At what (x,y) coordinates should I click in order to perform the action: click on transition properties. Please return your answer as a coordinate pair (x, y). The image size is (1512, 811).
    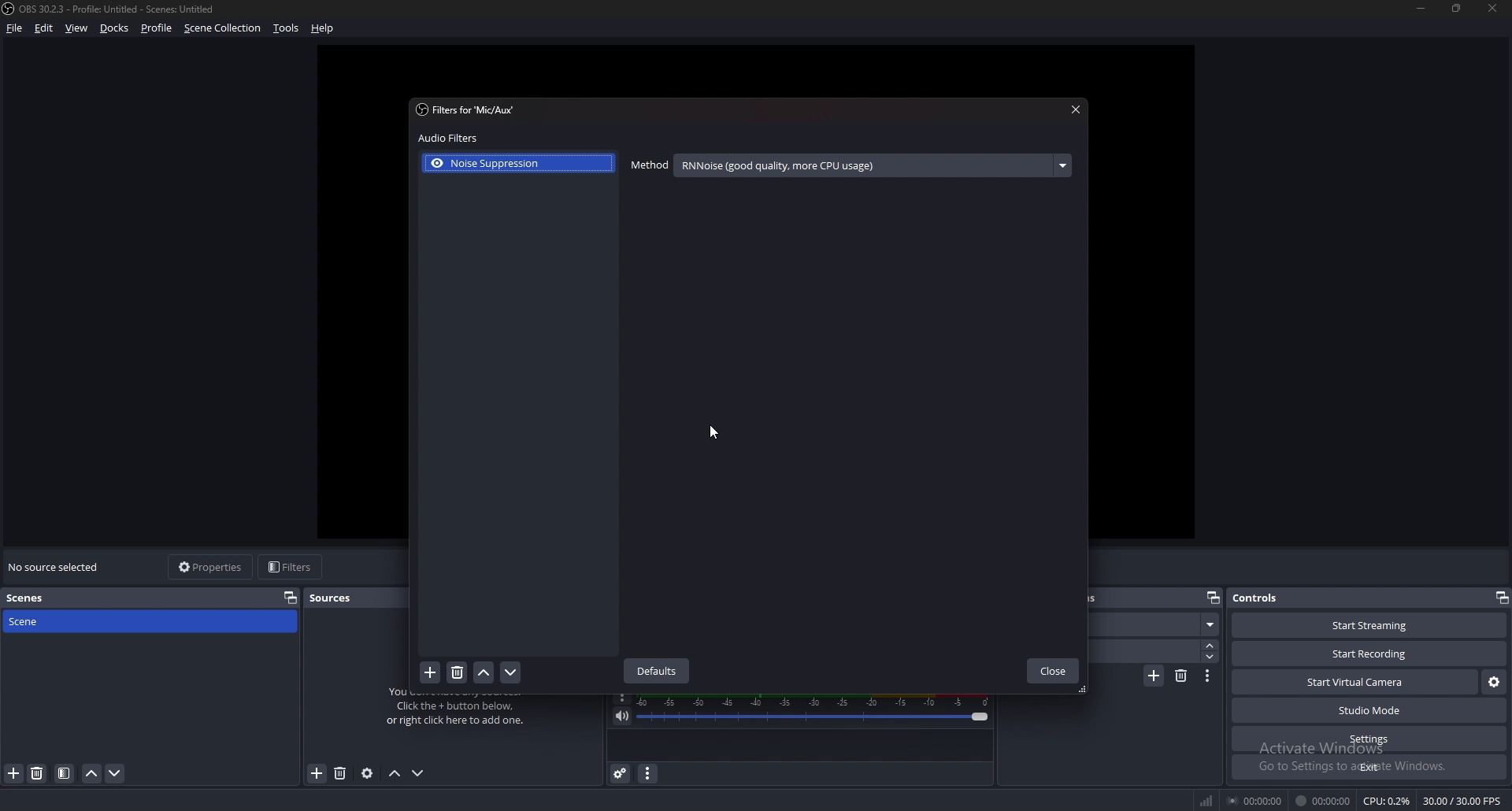
    Looking at the image, I should click on (1210, 676).